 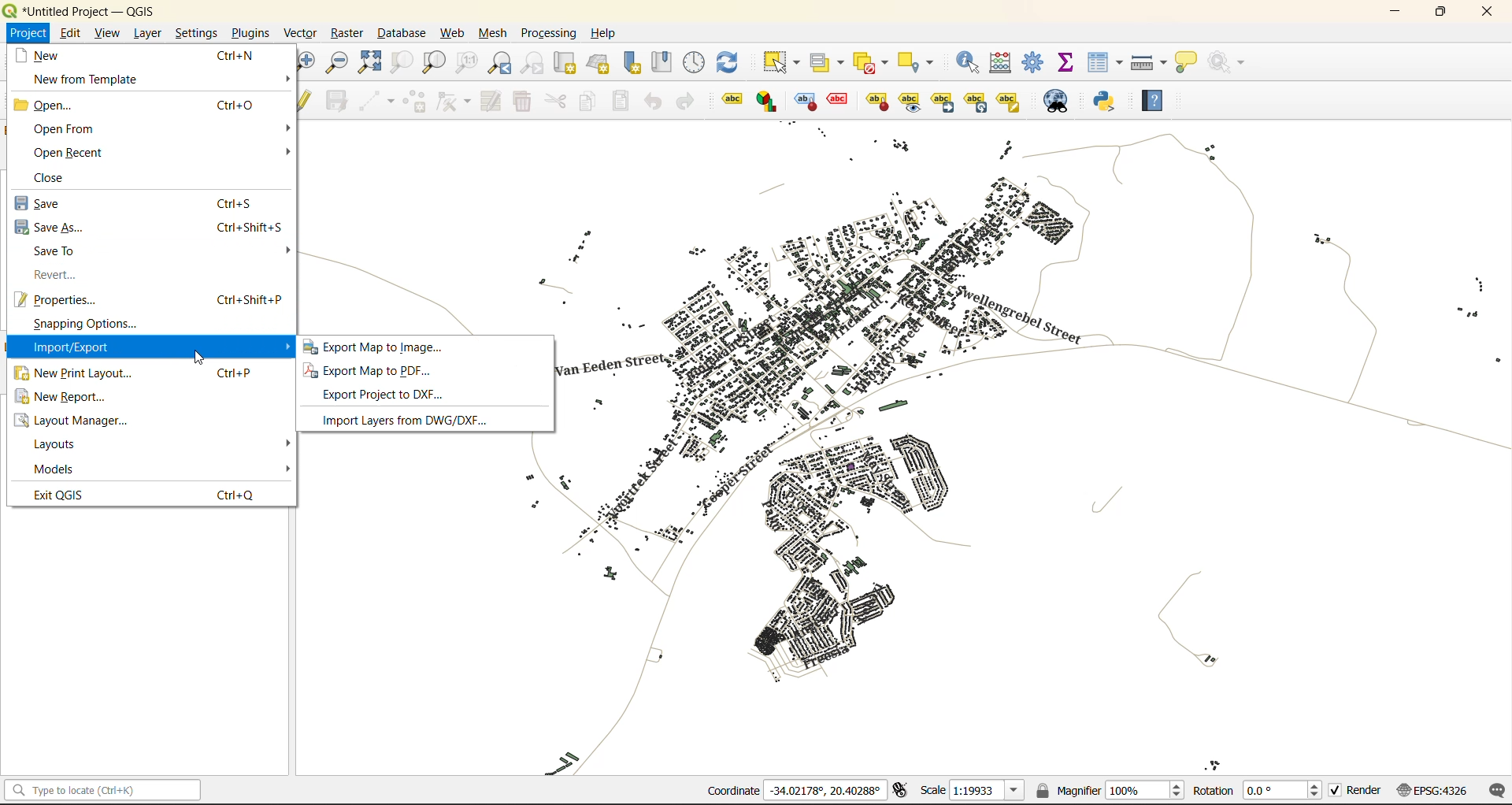 What do you see at coordinates (563, 62) in the screenshot?
I see `new map view` at bounding box center [563, 62].